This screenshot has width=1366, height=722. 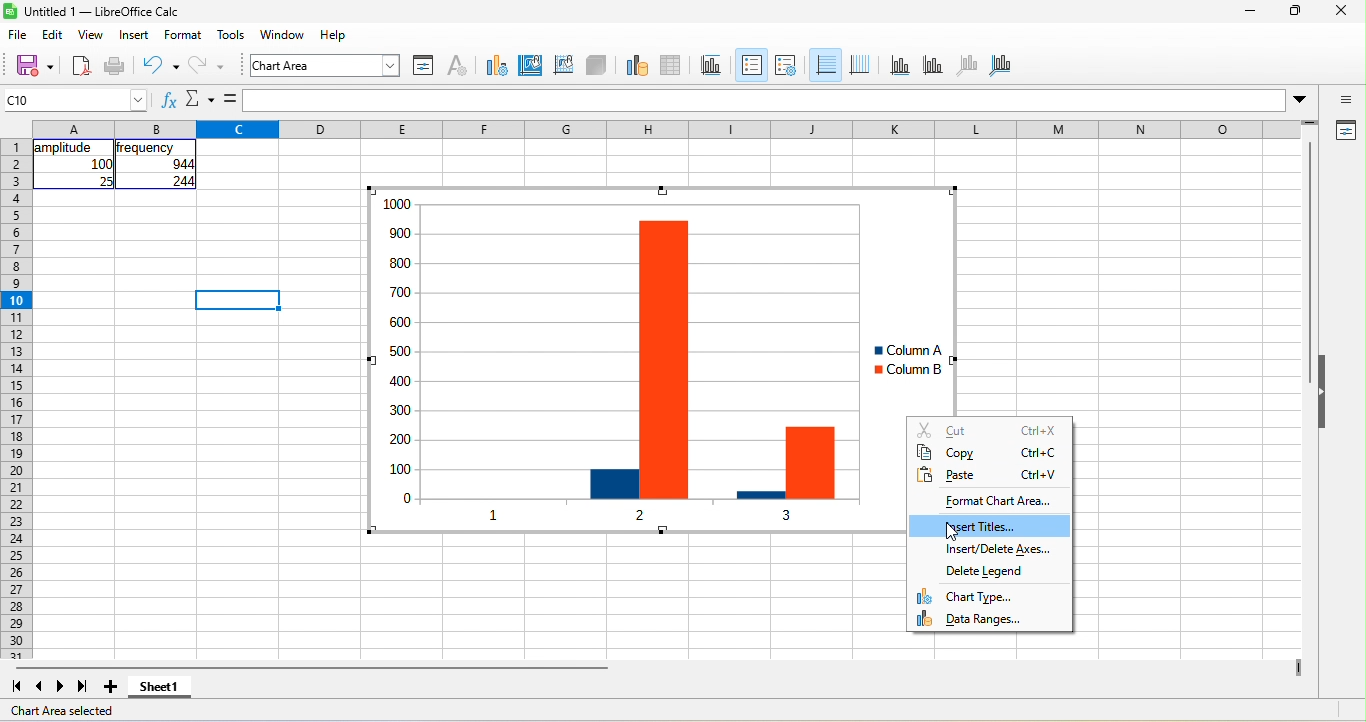 I want to click on next sheet, so click(x=60, y=687).